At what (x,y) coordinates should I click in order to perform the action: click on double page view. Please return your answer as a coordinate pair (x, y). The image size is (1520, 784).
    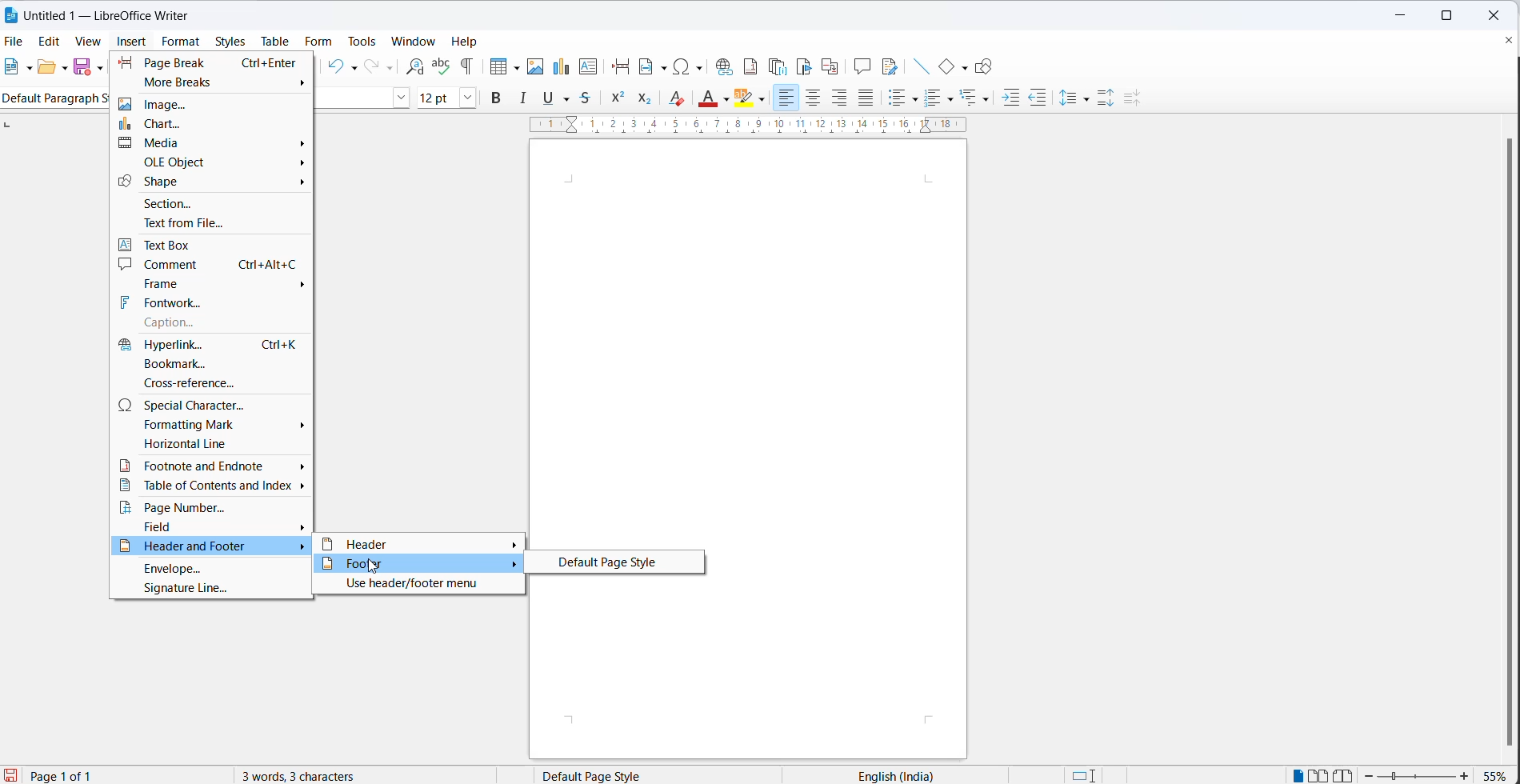
    Looking at the image, I should click on (1319, 774).